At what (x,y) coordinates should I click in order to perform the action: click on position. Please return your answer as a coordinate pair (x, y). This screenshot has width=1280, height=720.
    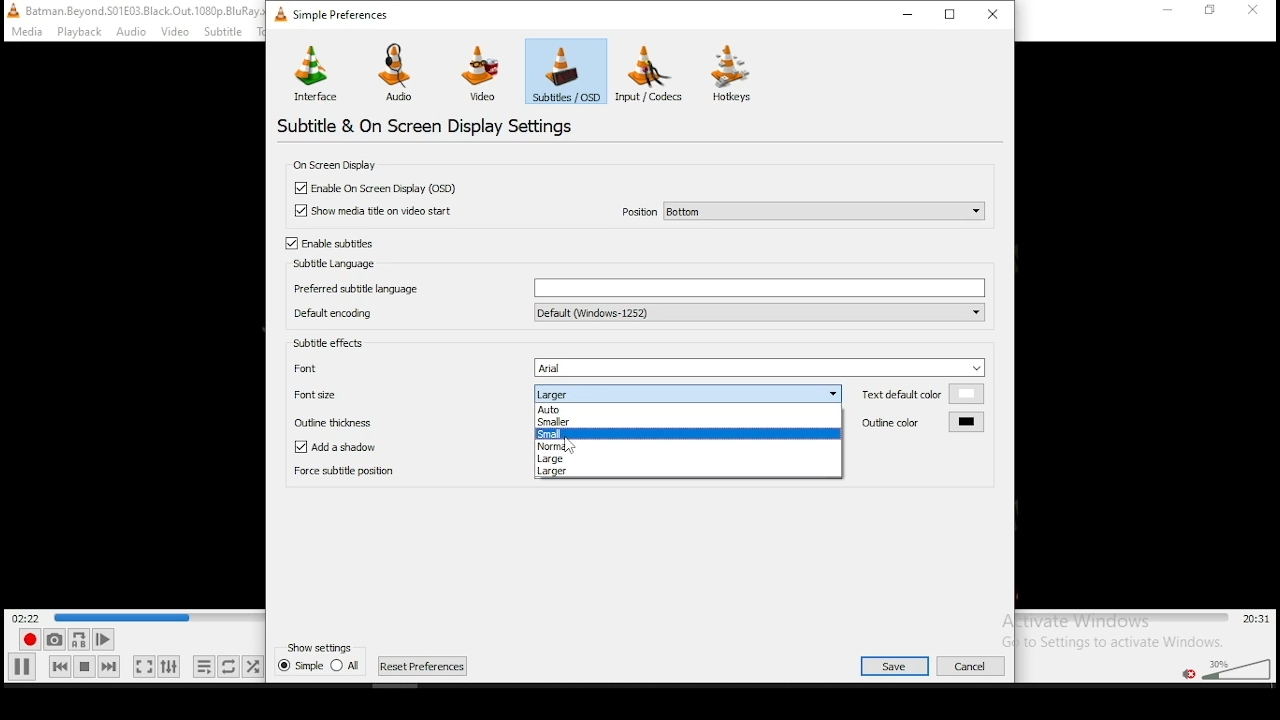
    Looking at the image, I should click on (802, 210).